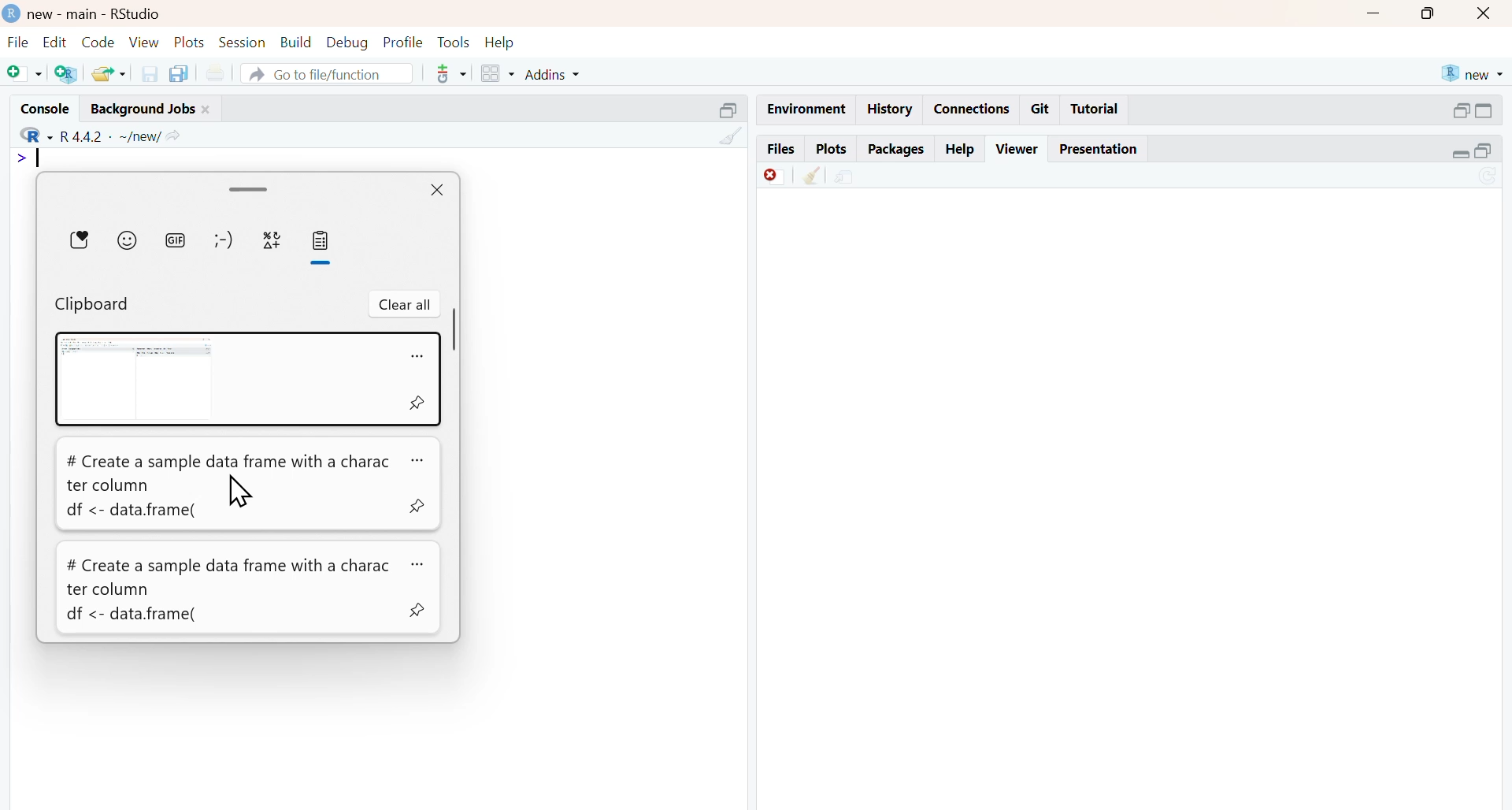  What do you see at coordinates (80, 240) in the screenshot?
I see `Favourites ` at bounding box center [80, 240].